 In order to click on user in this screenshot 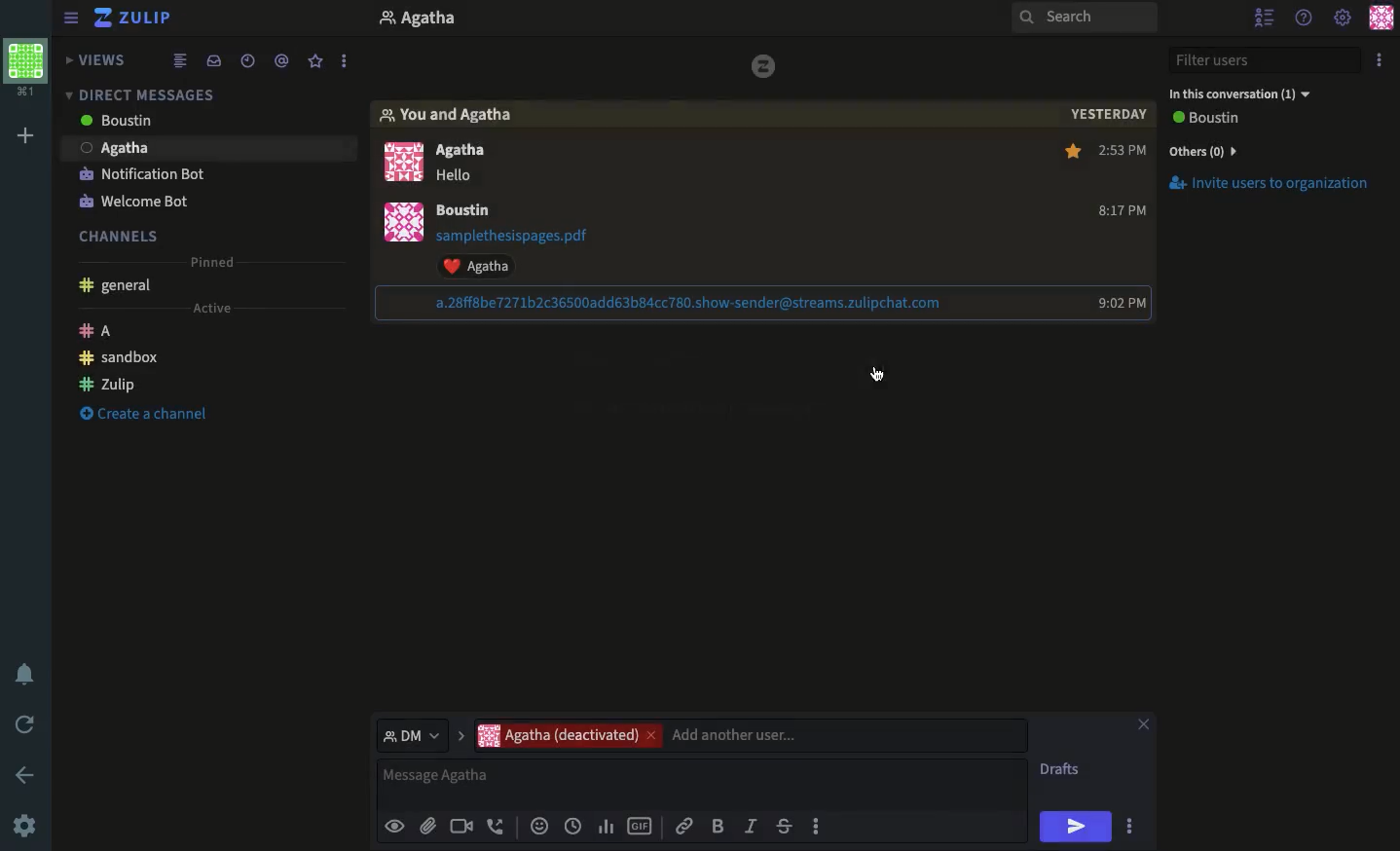, I will do `click(476, 208)`.